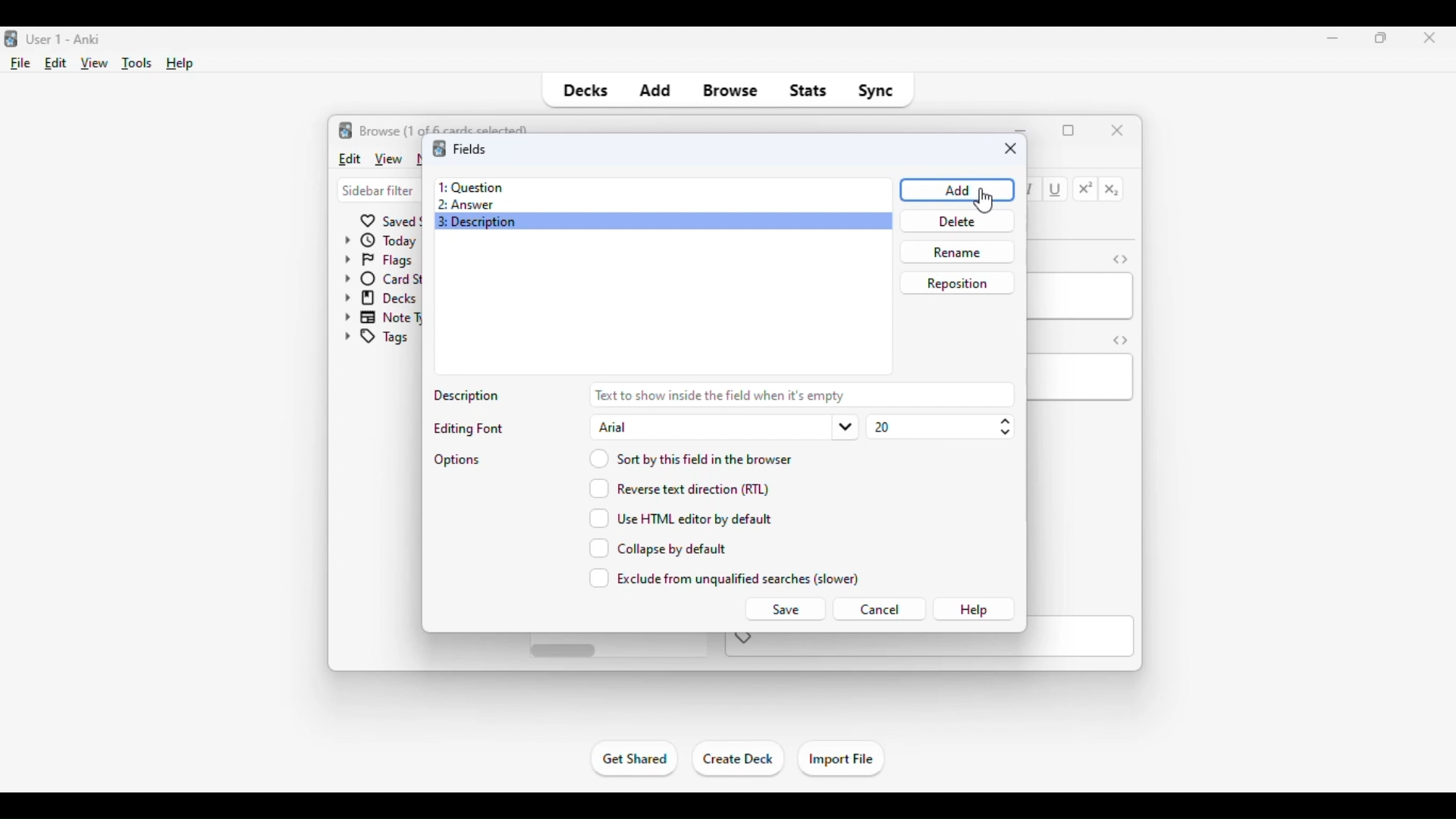 Image resolution: width=1456 pixels, height=819 pixels. I want to click on minimize, so click(1022, 129).